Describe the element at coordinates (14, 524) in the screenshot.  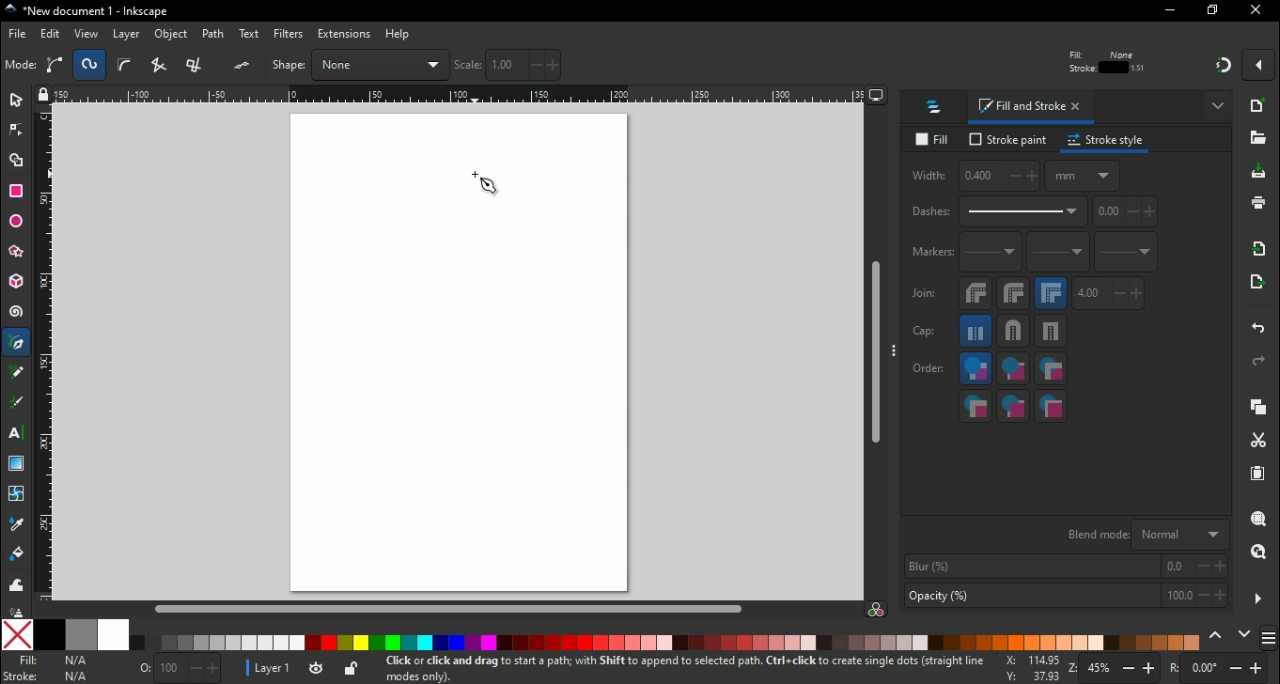
I see `dropper tool` at that location.